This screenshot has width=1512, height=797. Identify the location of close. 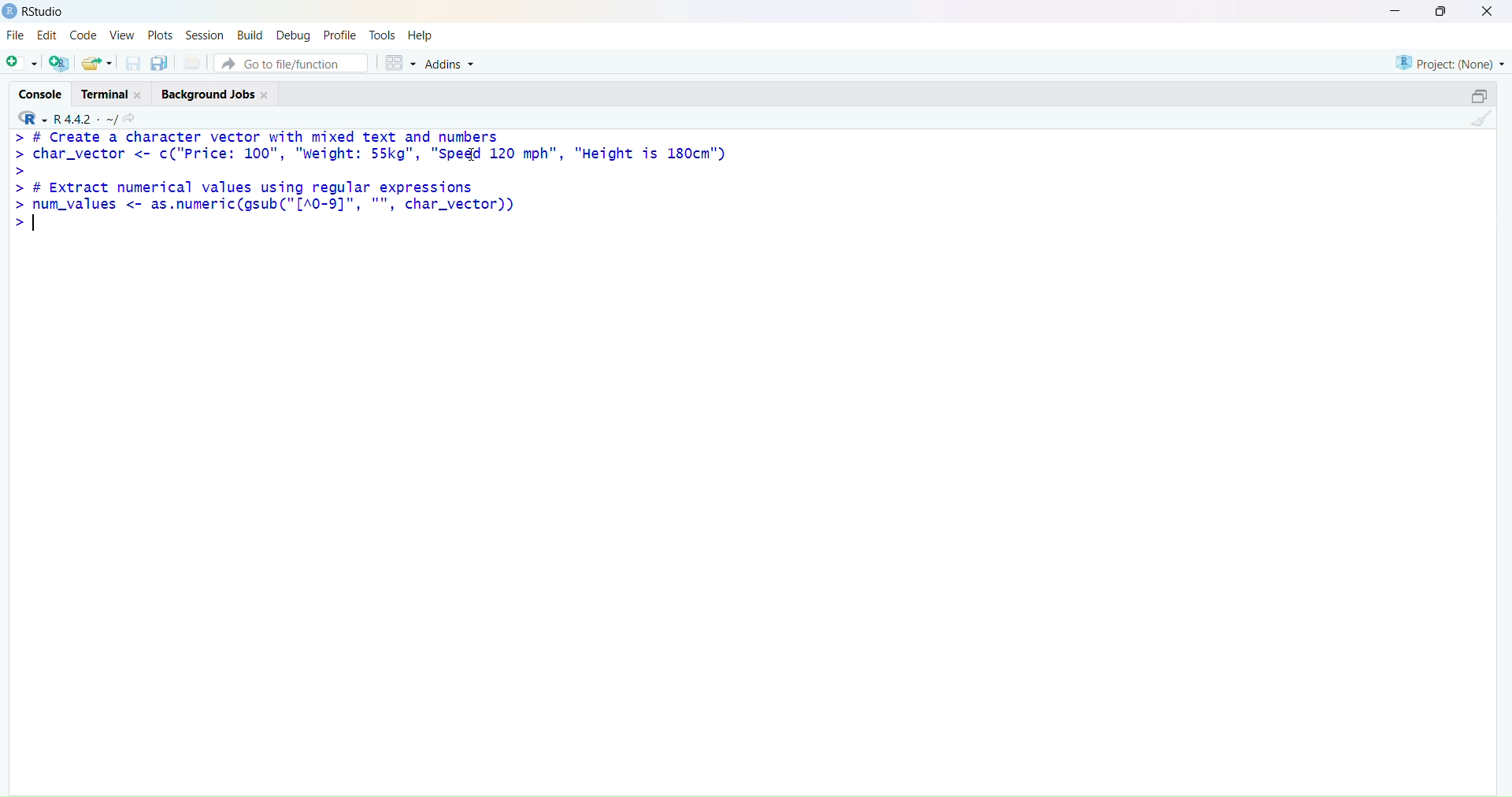
(139, 95).